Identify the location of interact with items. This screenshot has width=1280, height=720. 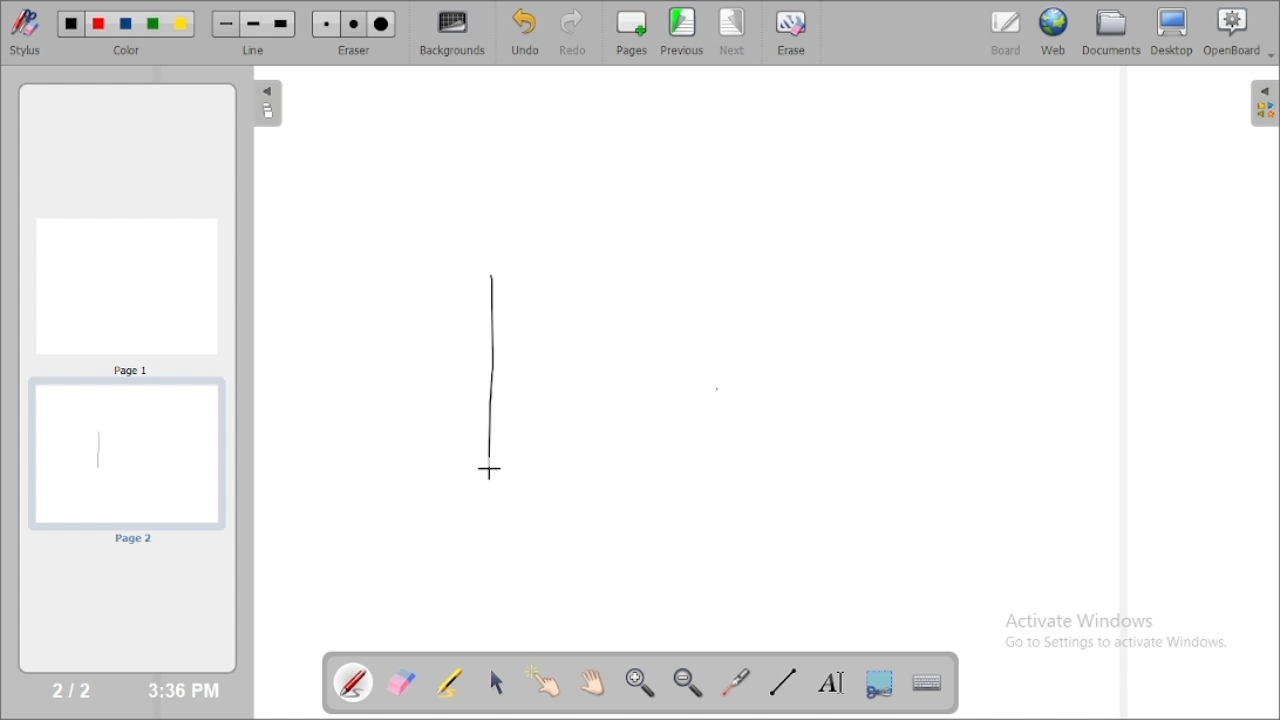
(545, 681).